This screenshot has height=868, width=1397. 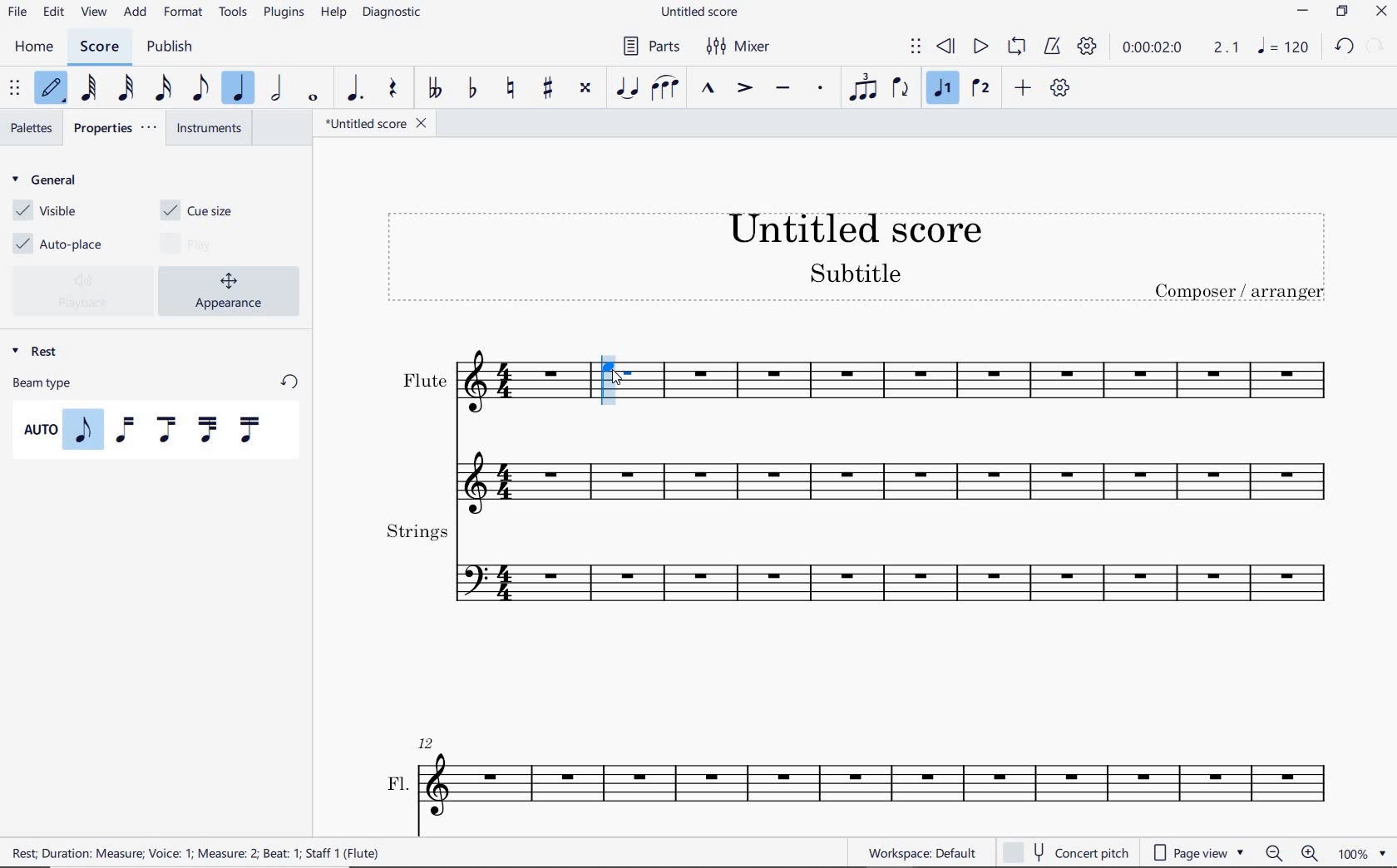 What do you see at coordinates (942, 88) in the screenshot?
I see `VOICE 1` at bounding box center [942, 88].